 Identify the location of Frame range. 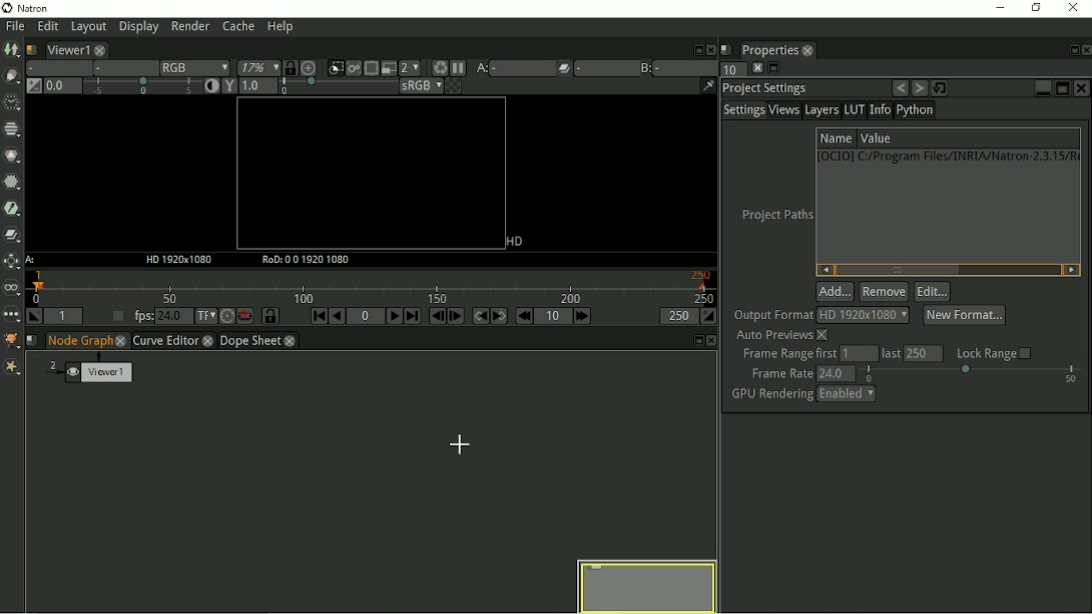
(839, 353).